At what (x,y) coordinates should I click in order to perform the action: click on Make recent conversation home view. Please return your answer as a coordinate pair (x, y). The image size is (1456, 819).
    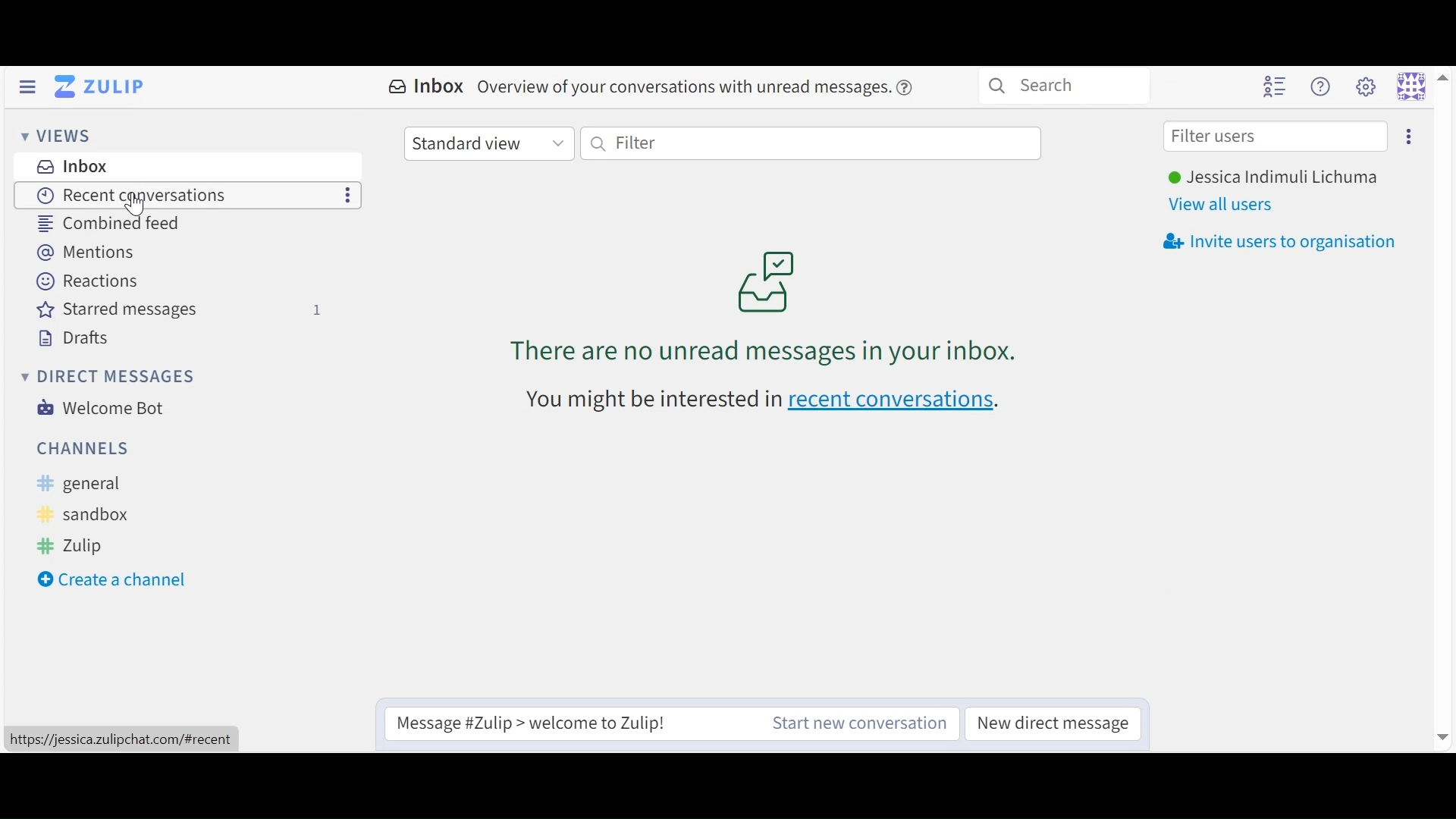
    Looking at the image, I should click on (347, 196).